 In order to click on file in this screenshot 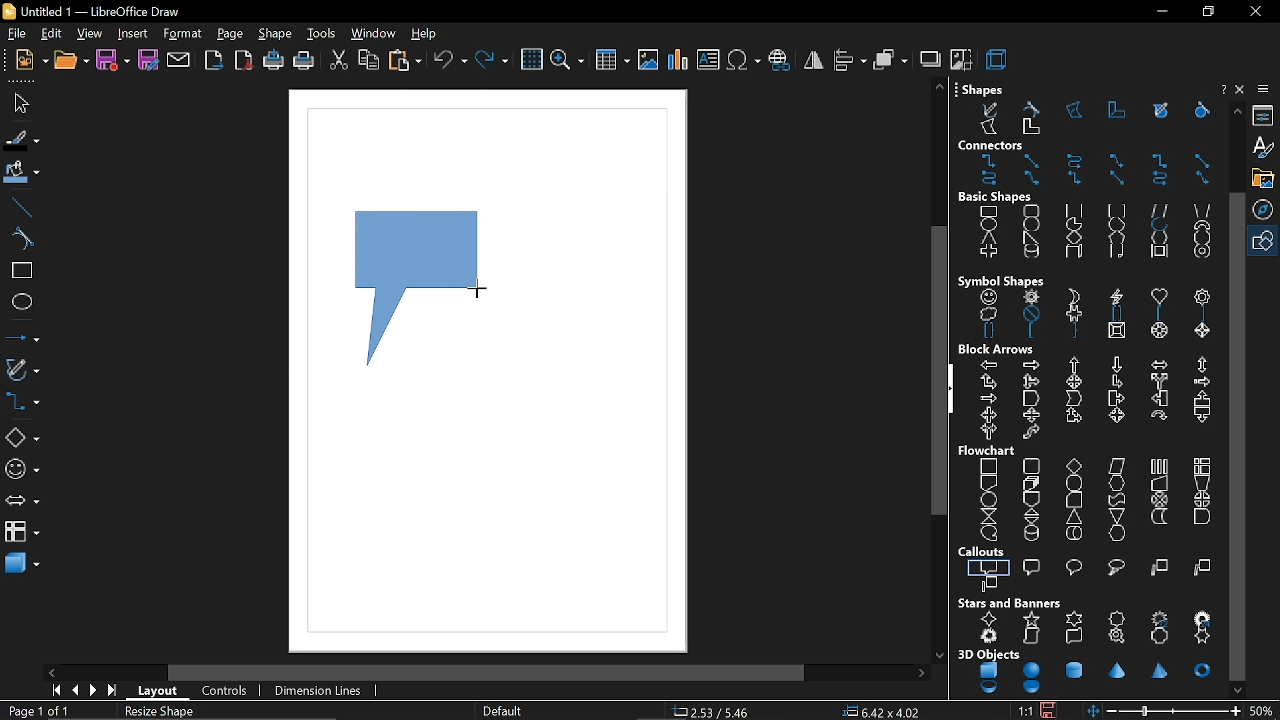, I will do `click(16, 33)`.